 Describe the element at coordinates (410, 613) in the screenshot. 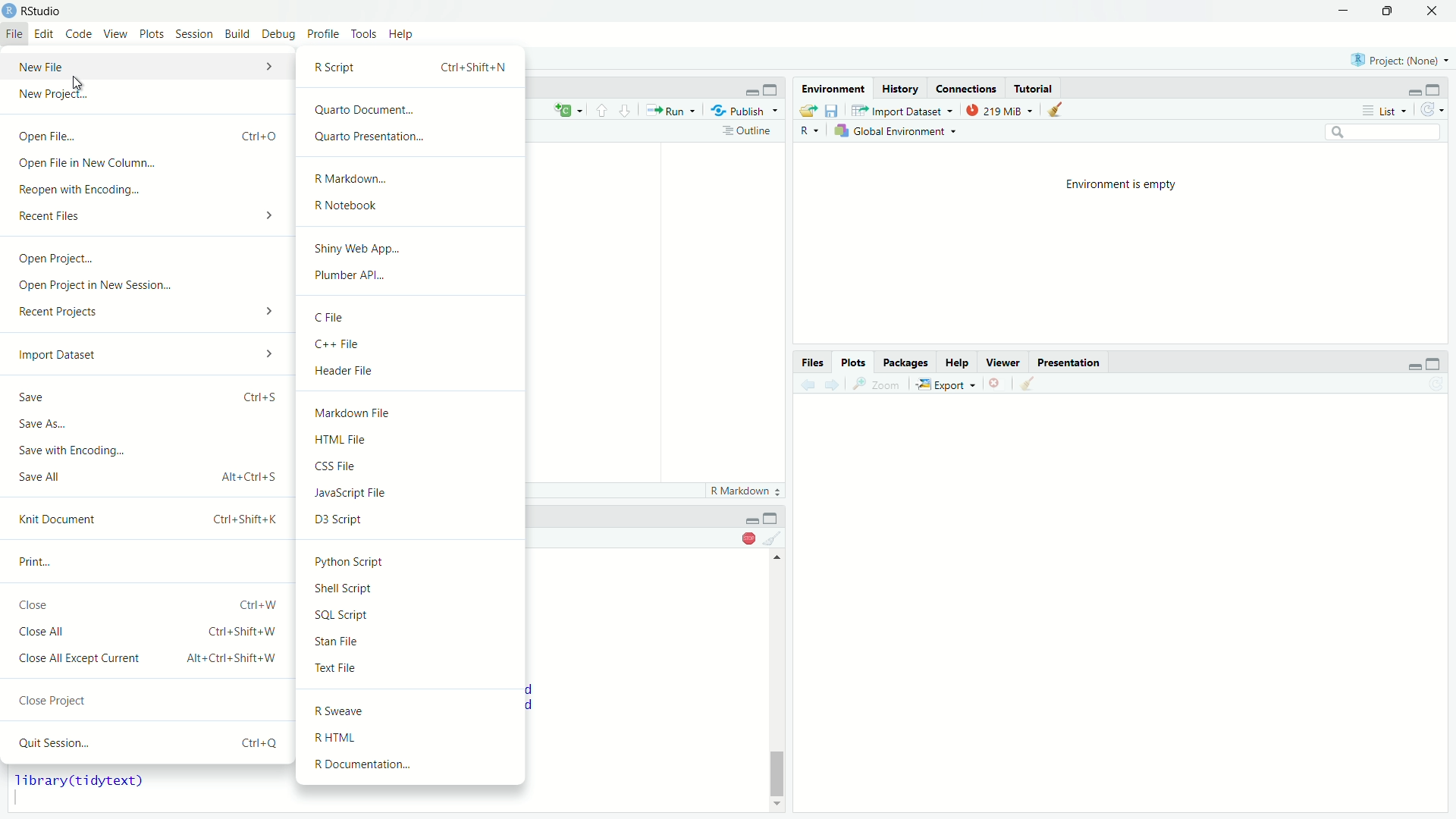

I see `SQL Script` at that location.